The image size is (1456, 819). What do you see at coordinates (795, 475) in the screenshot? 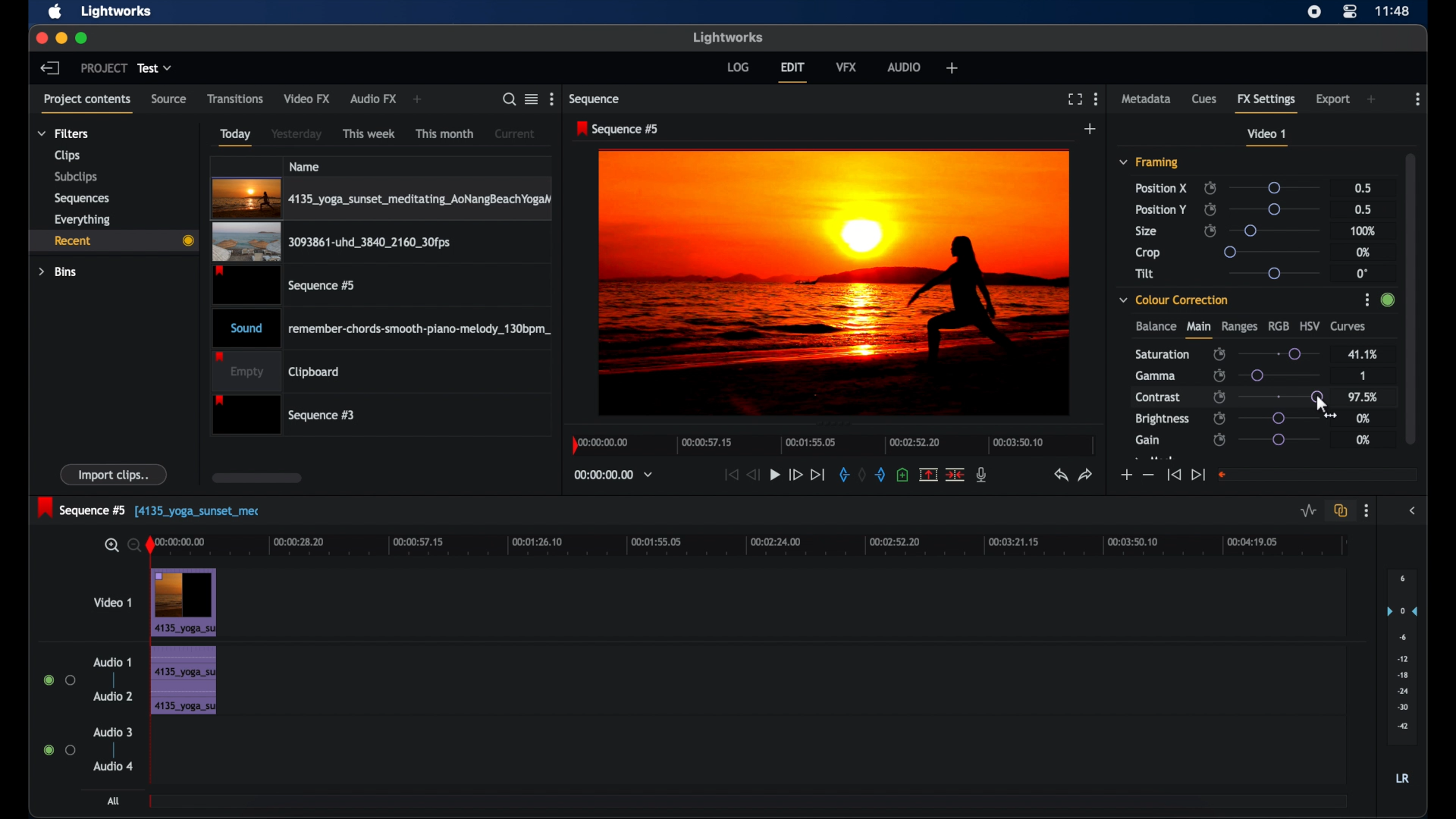
I see `fast forward` at bounding box center [795, 475].